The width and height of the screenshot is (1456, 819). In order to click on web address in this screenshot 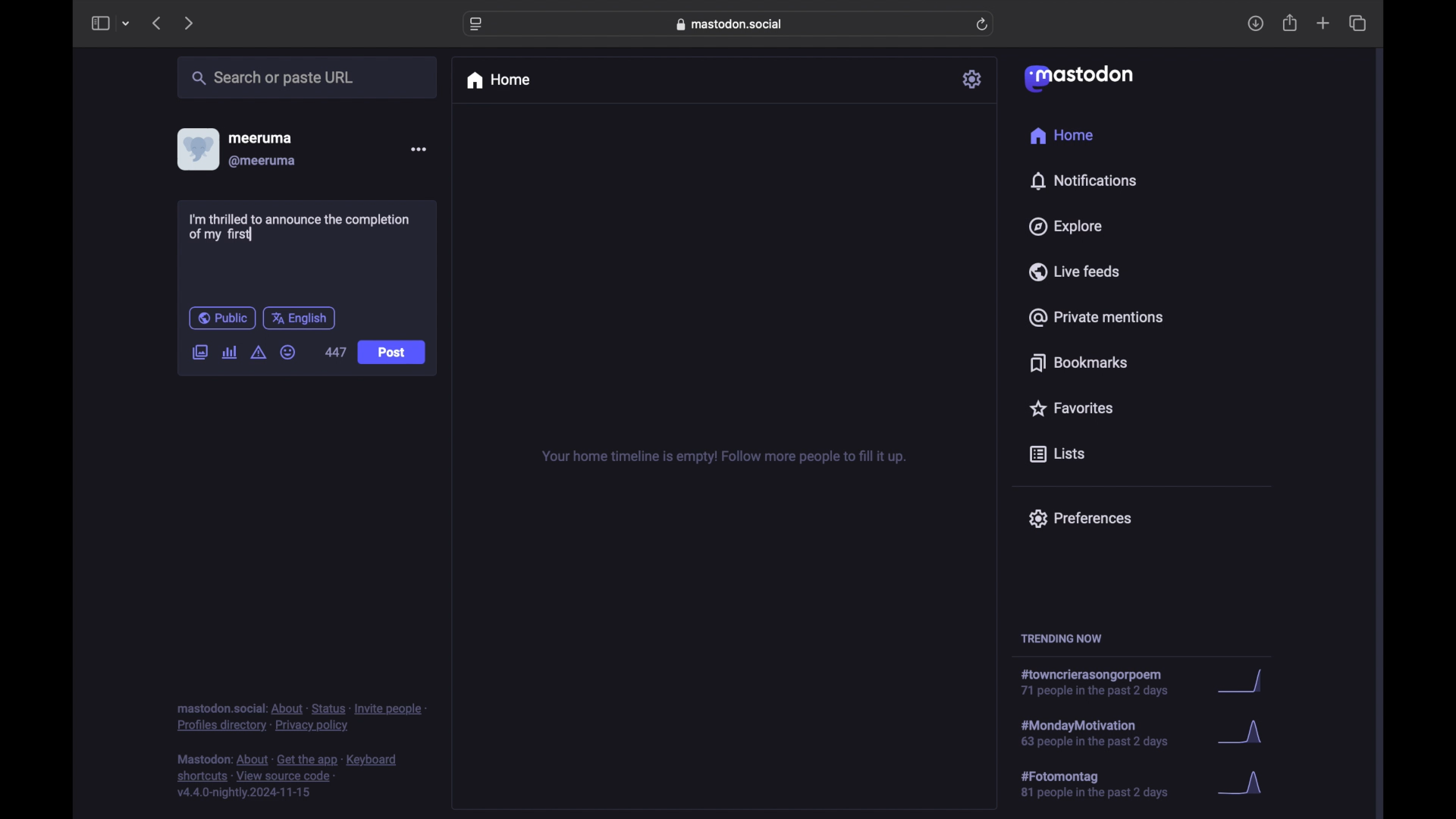, I will do `click(730, 24)`.